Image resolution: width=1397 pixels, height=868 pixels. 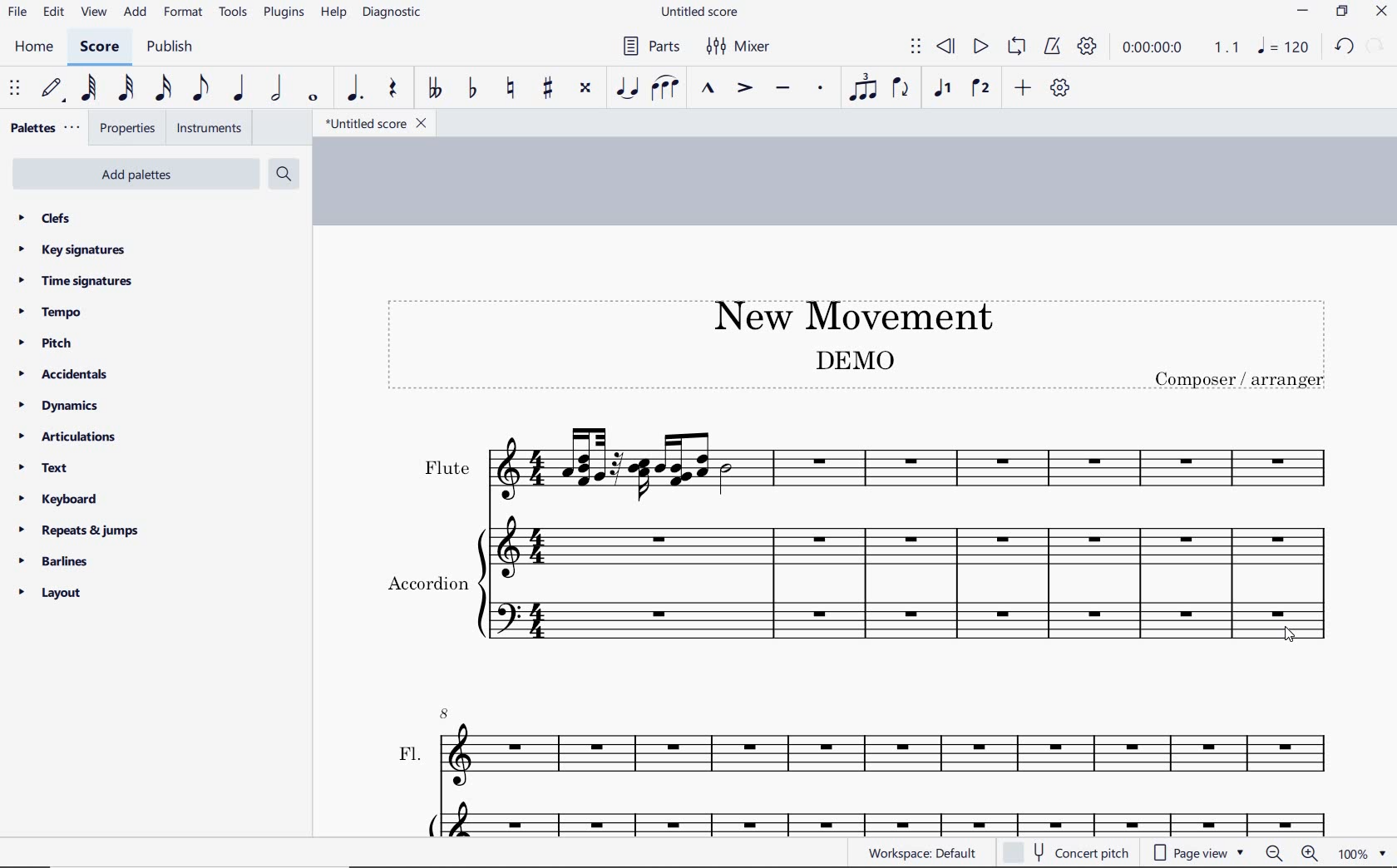 I want to click on zoom factor, so click(x=1362, y=853).